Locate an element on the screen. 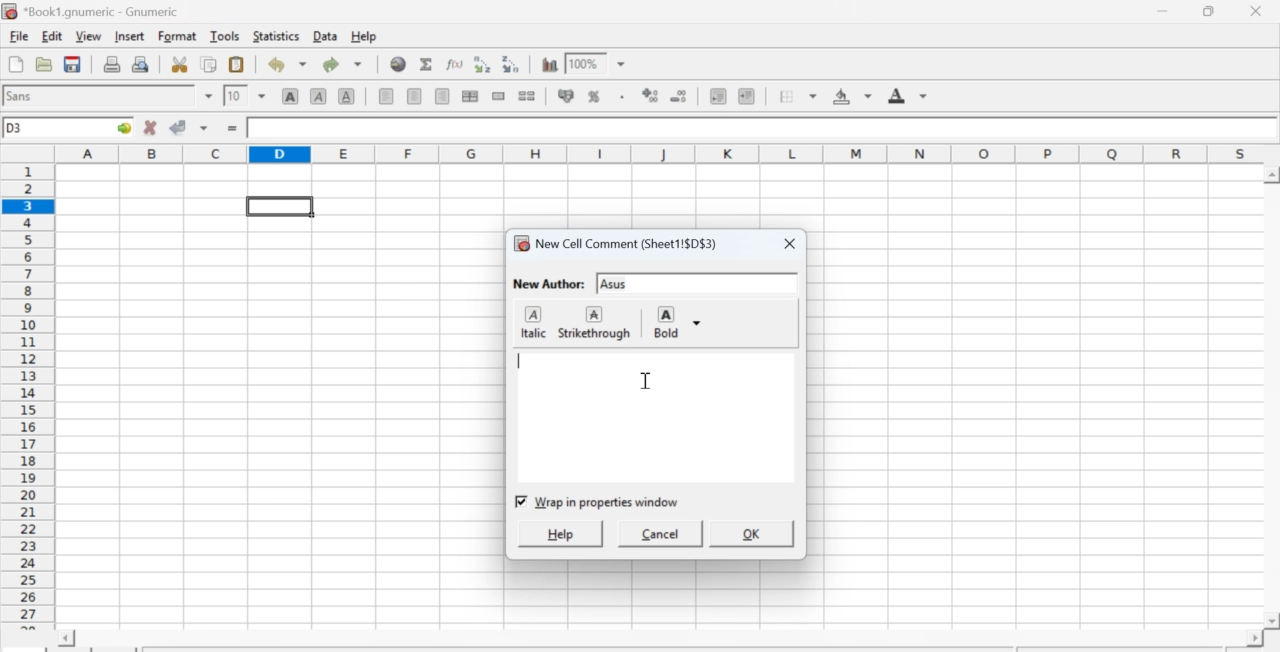 The image size is (1280, 652). Split cells is located at coordinates (526, 96).